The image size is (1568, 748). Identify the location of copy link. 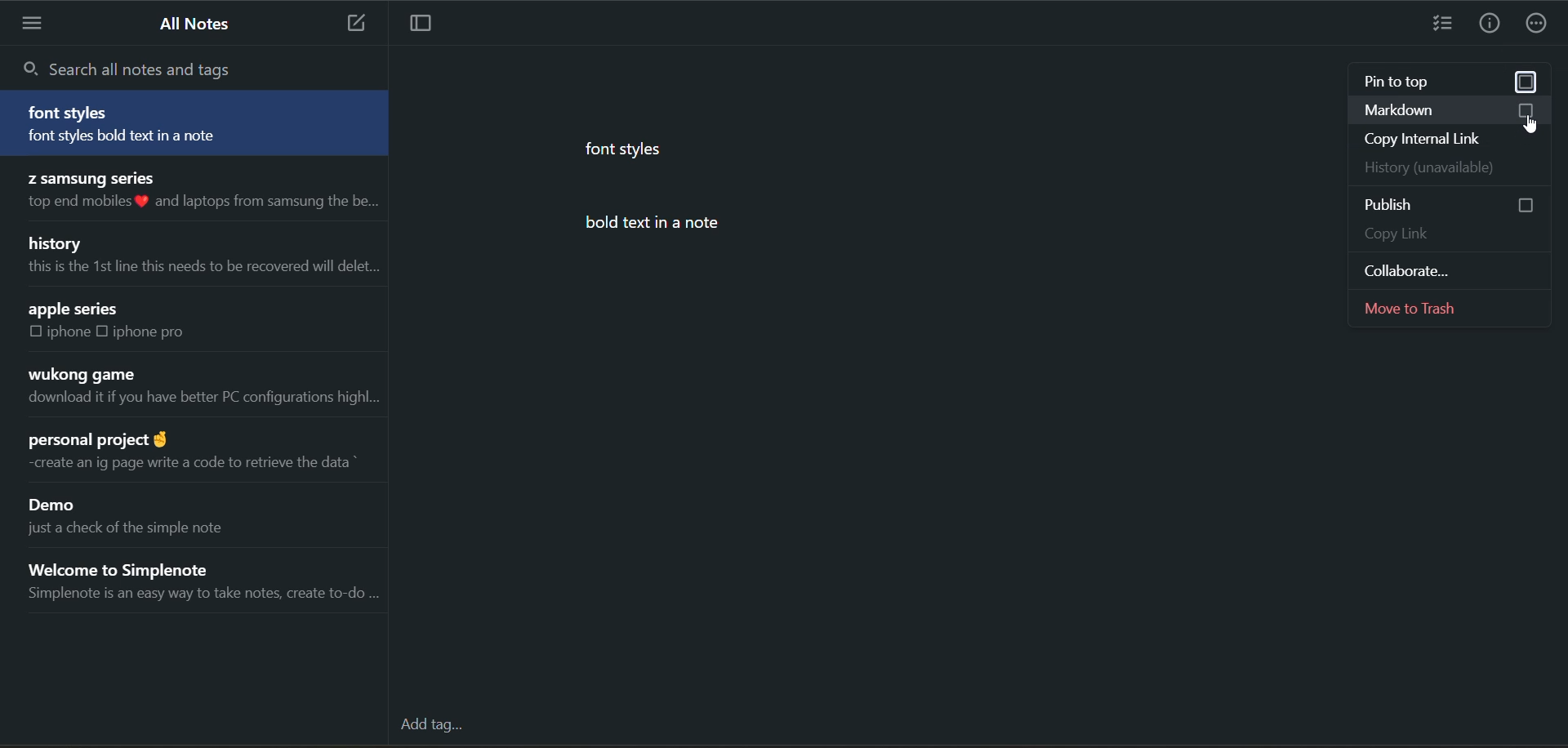
(1450, 237).